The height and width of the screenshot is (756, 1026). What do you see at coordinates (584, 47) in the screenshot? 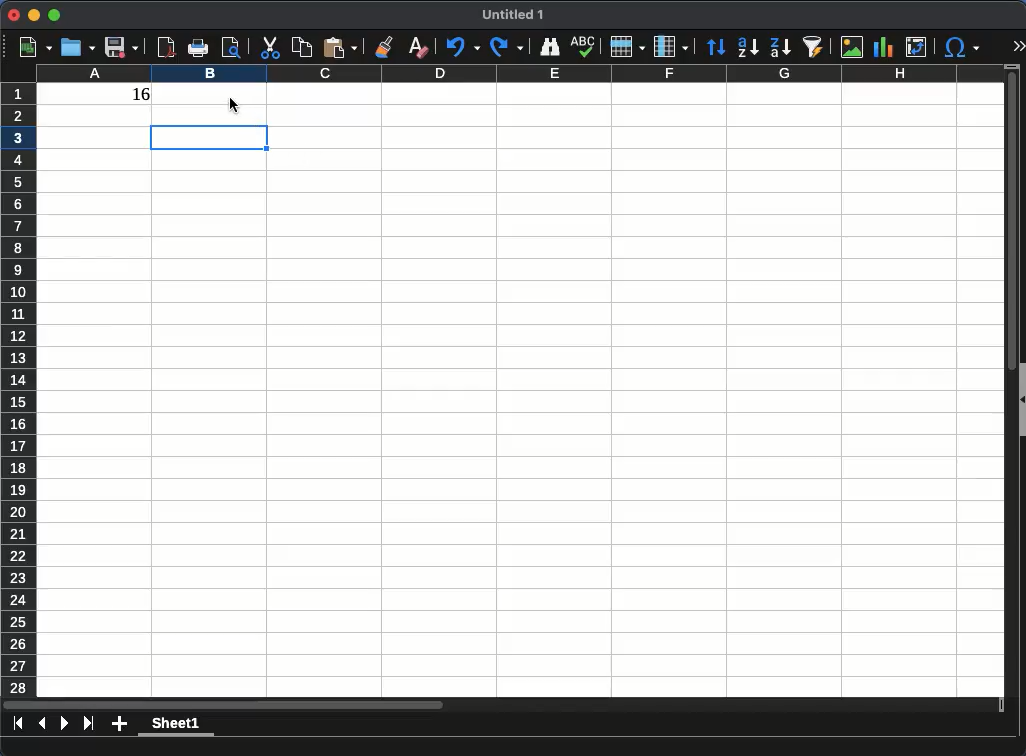
I see `spell check` at bounding box center [584, 47].